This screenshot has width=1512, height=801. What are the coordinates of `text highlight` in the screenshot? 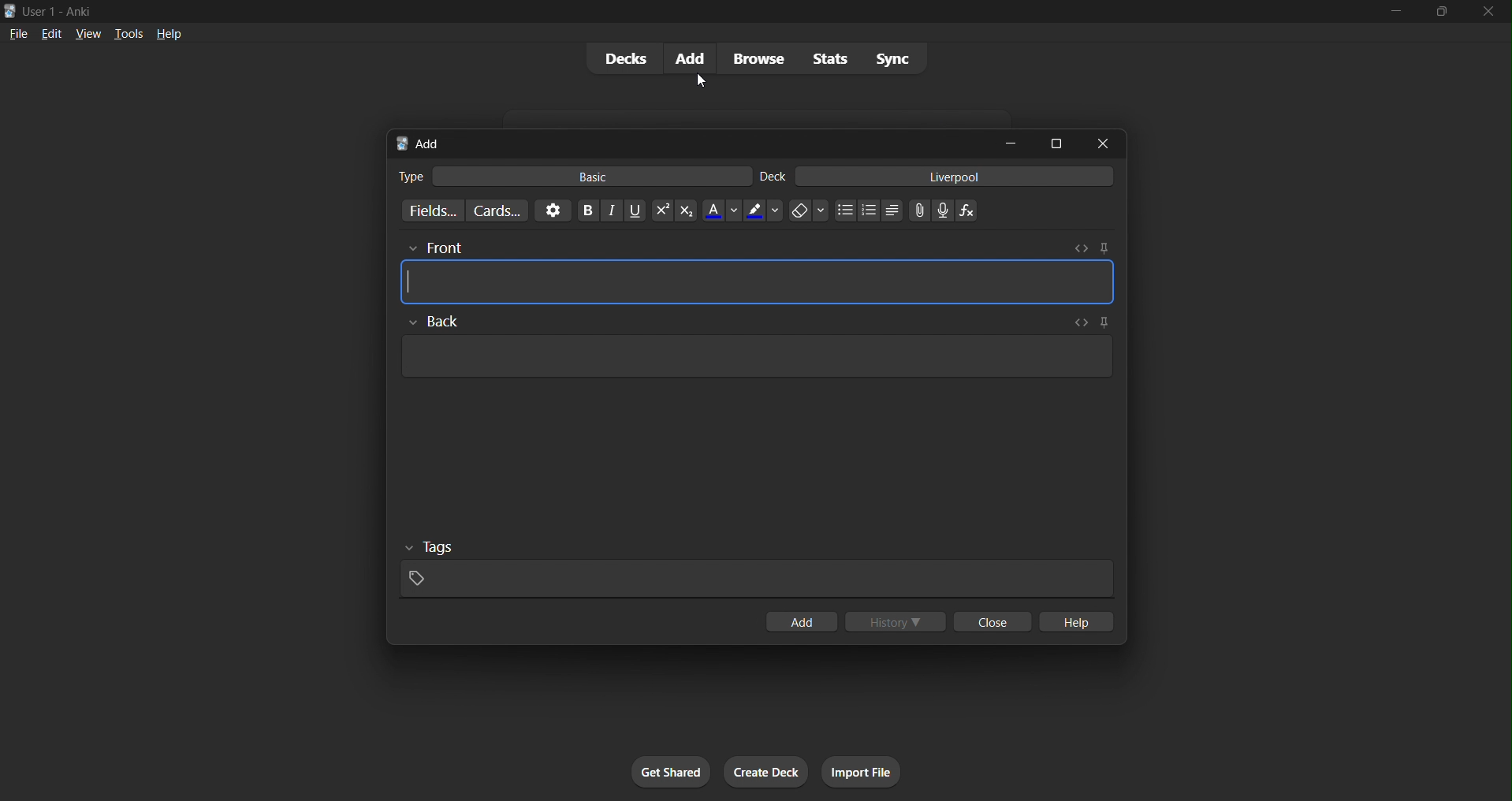 It's located at (762, 211).